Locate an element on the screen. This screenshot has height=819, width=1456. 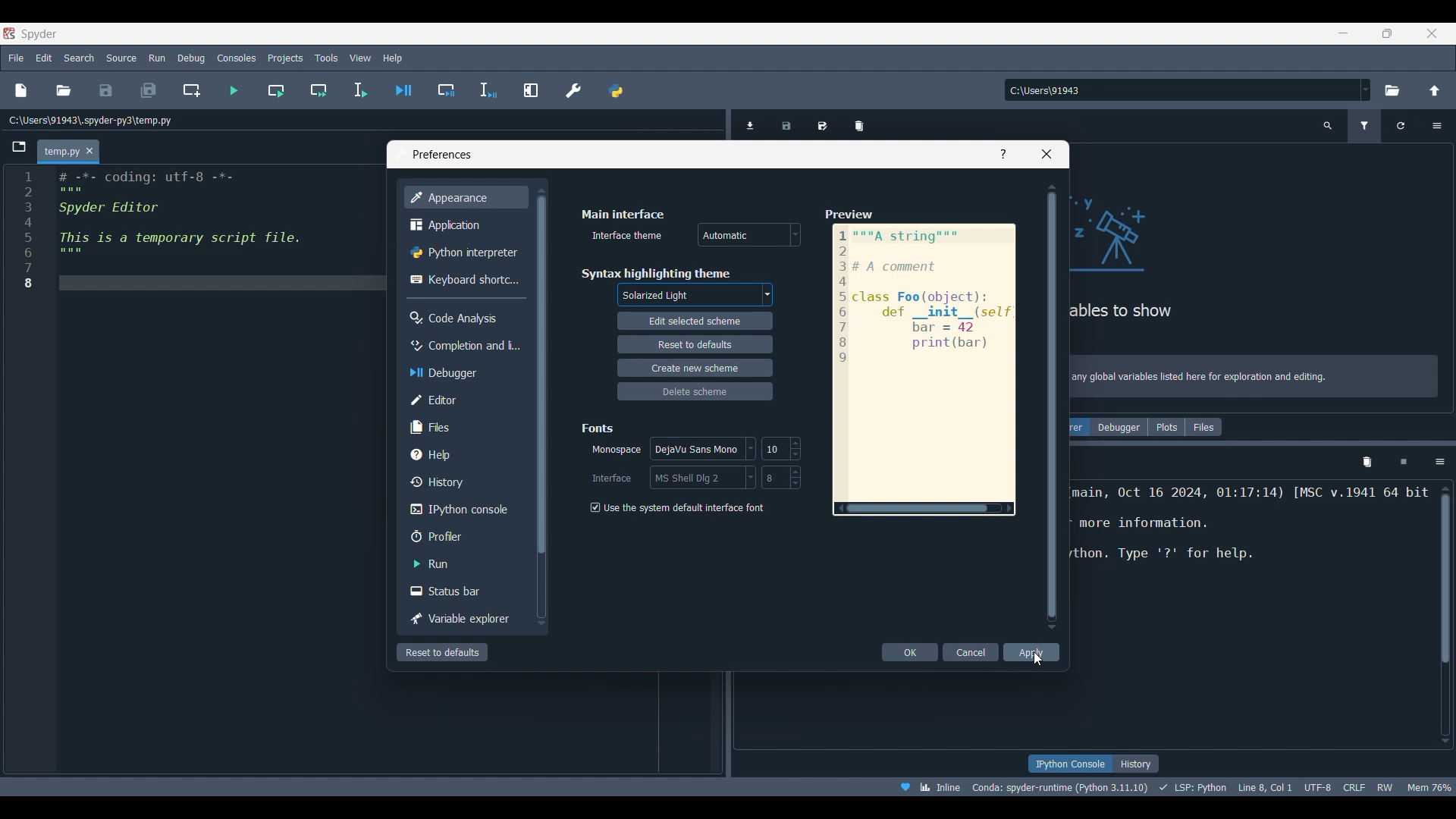
Close interface is located at coordinates (1432, 33).